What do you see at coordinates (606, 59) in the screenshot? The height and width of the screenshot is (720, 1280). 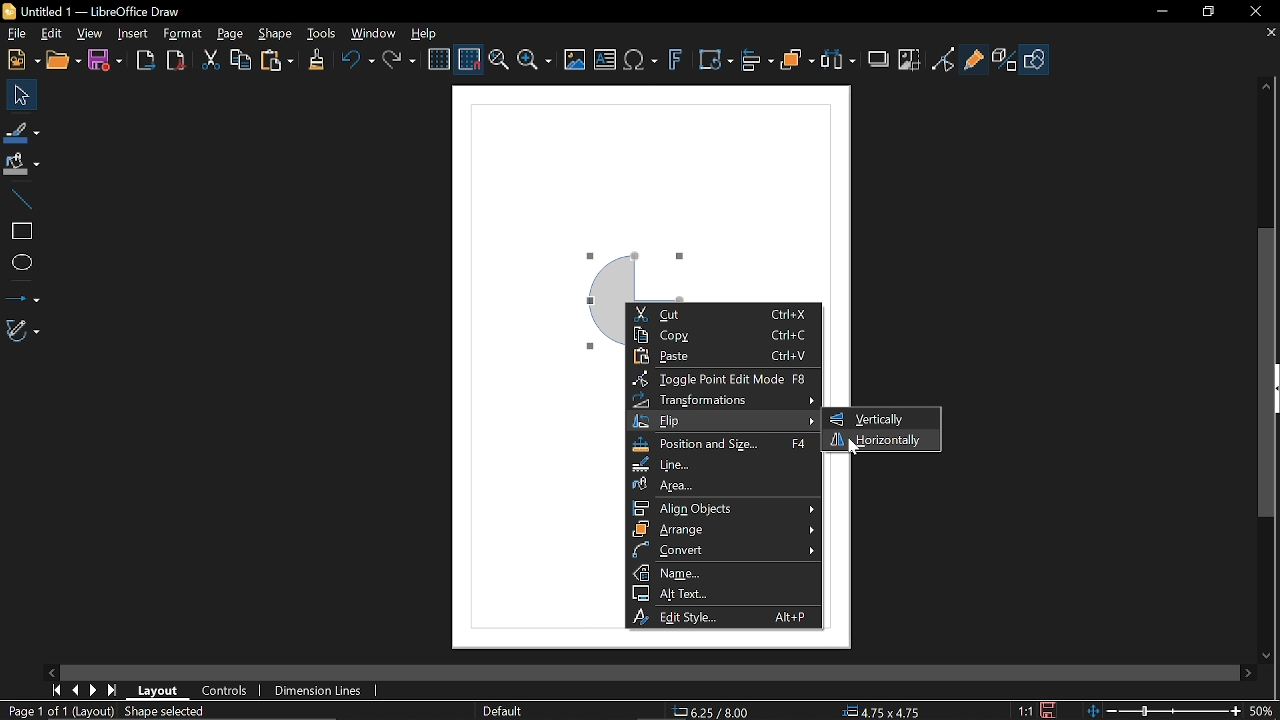 I see `insert text` at bounding box center [606, 59].